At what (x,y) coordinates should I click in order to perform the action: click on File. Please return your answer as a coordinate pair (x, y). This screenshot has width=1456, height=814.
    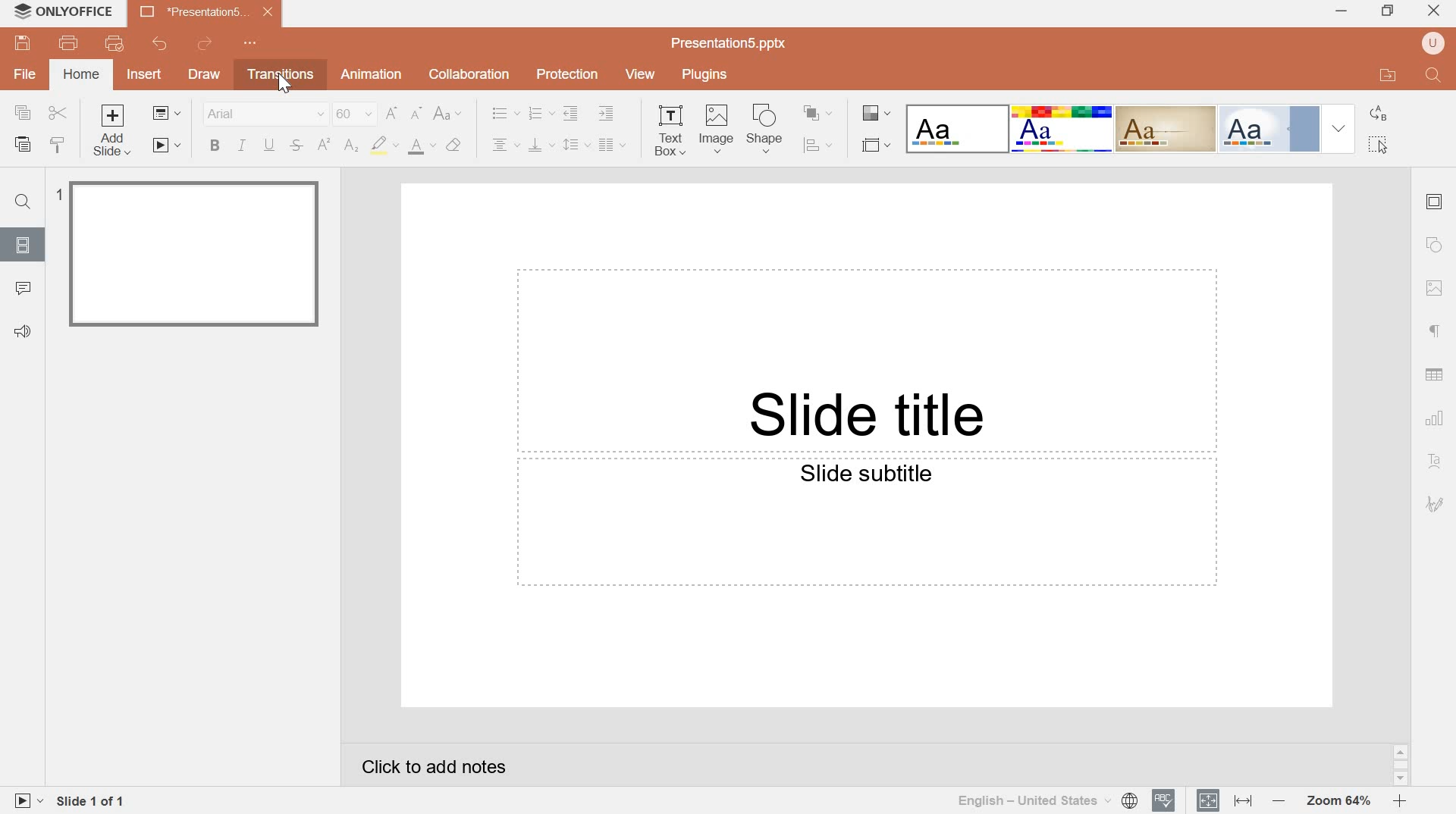
    Looking at the image, I should click on (24, 75).